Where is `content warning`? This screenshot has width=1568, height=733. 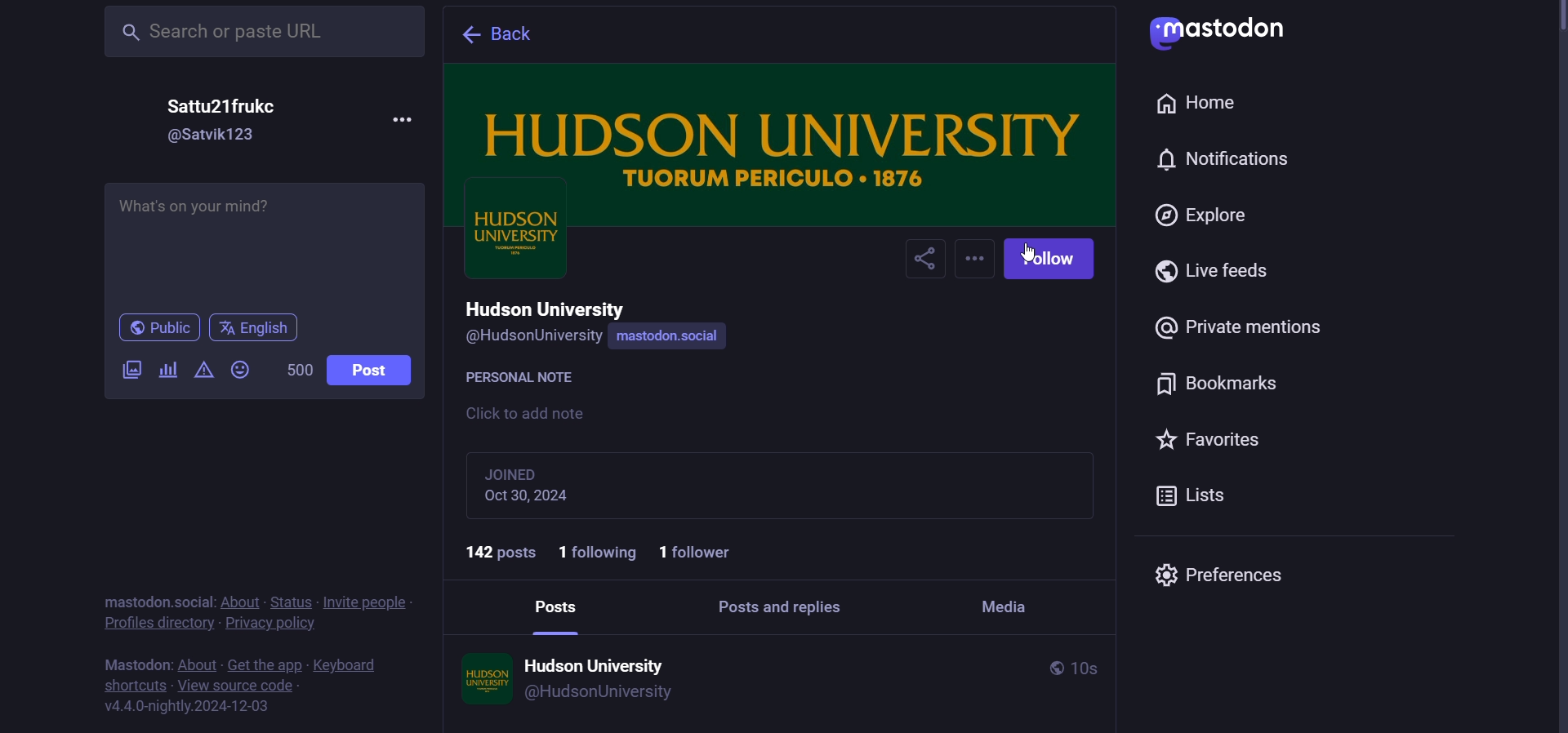
content warning is located at coordinates (205, 372).